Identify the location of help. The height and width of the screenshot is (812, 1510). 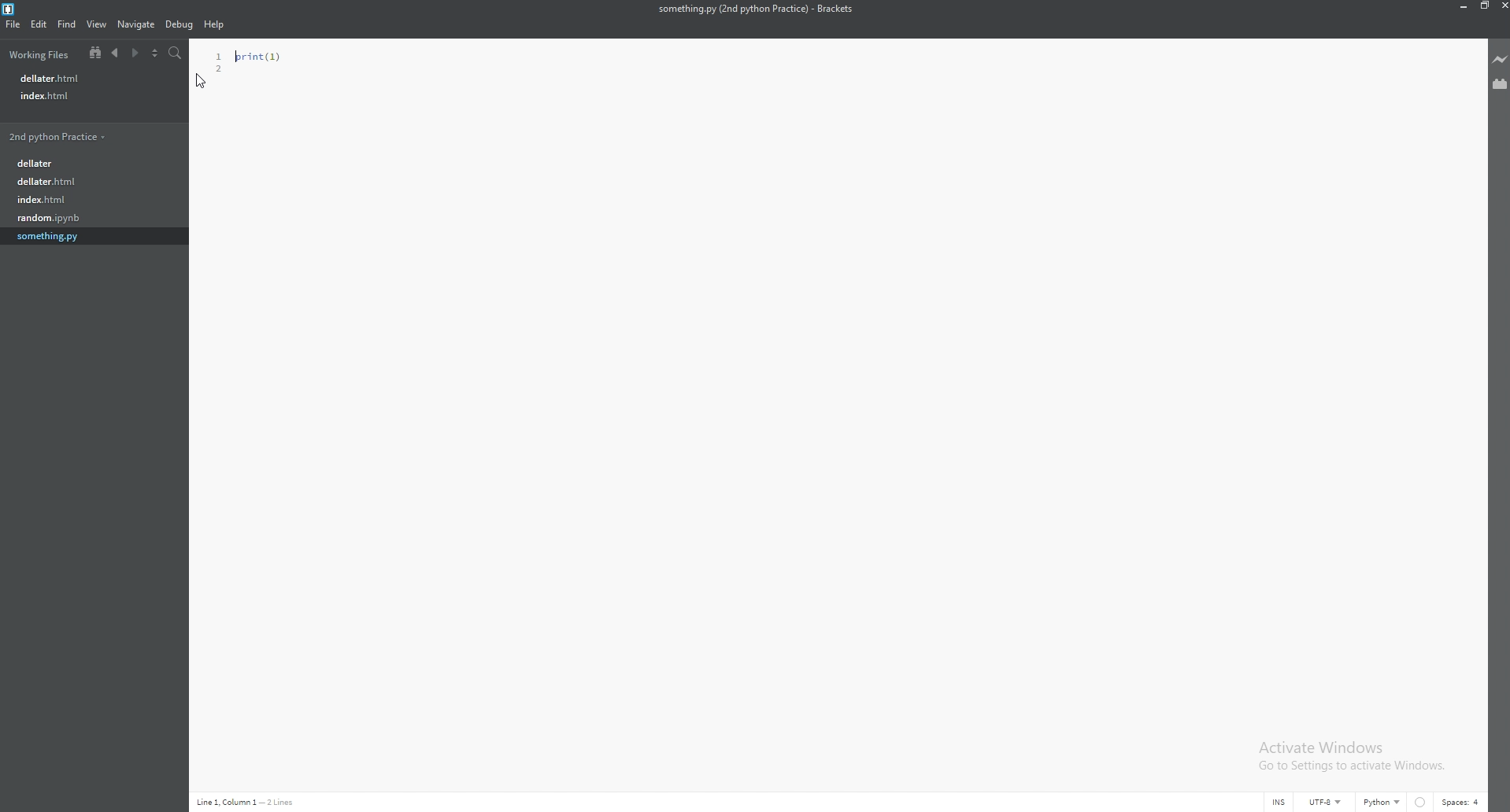
(215, 24).